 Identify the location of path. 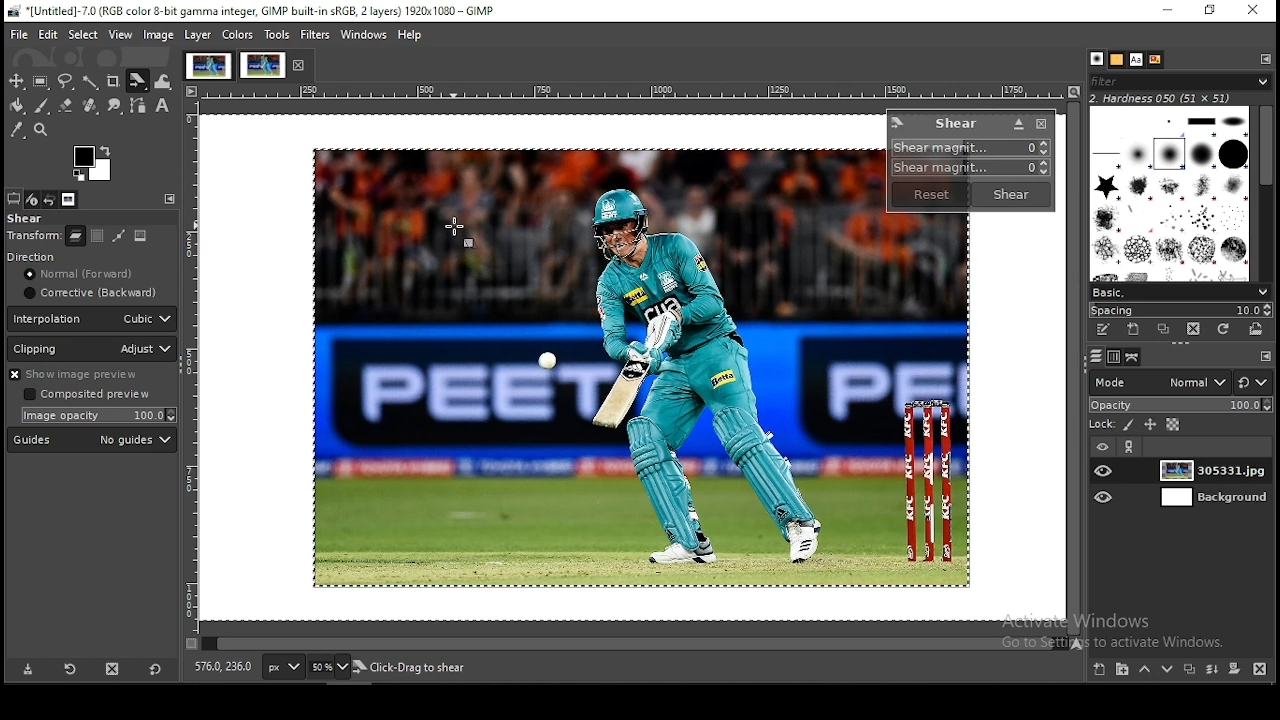
(117, 236).